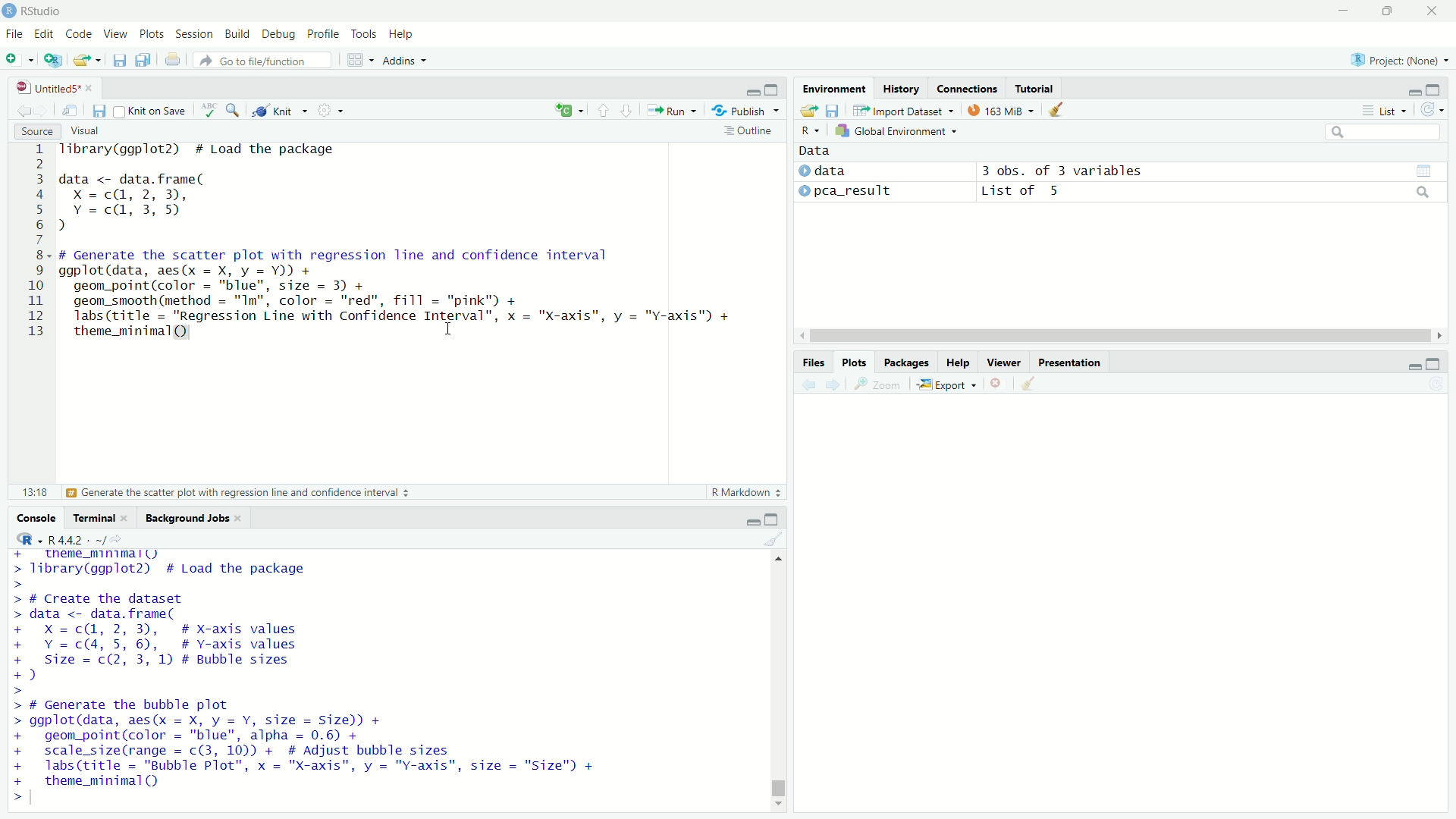  I want to click on + _ theme_mnimall)

> library(ggplot2) # Load the package

>

> # Create the dataset

> data <- data.frame(

+ X=c@, 2,3), # X-axis values

+ Y=c(4, 5, 6), # Y-axis values

+ Size = c(2, 3, 1) # Bubble sizes

+)

>

> # Generate the bubble plot

> ggplot(data, aes(x = X, y = Y, size = Size)) +

+ geom_point(color = "blue", alpha = 0.6) +

+ scale_size(range = c(3, 10)) + # Adjust bubble sizes
+ labs(title = "Bubble Plot", x = "X-axis", y = "Y-axis", size = "Size") +
+ theme_minimal()

>, so click(309, 677).